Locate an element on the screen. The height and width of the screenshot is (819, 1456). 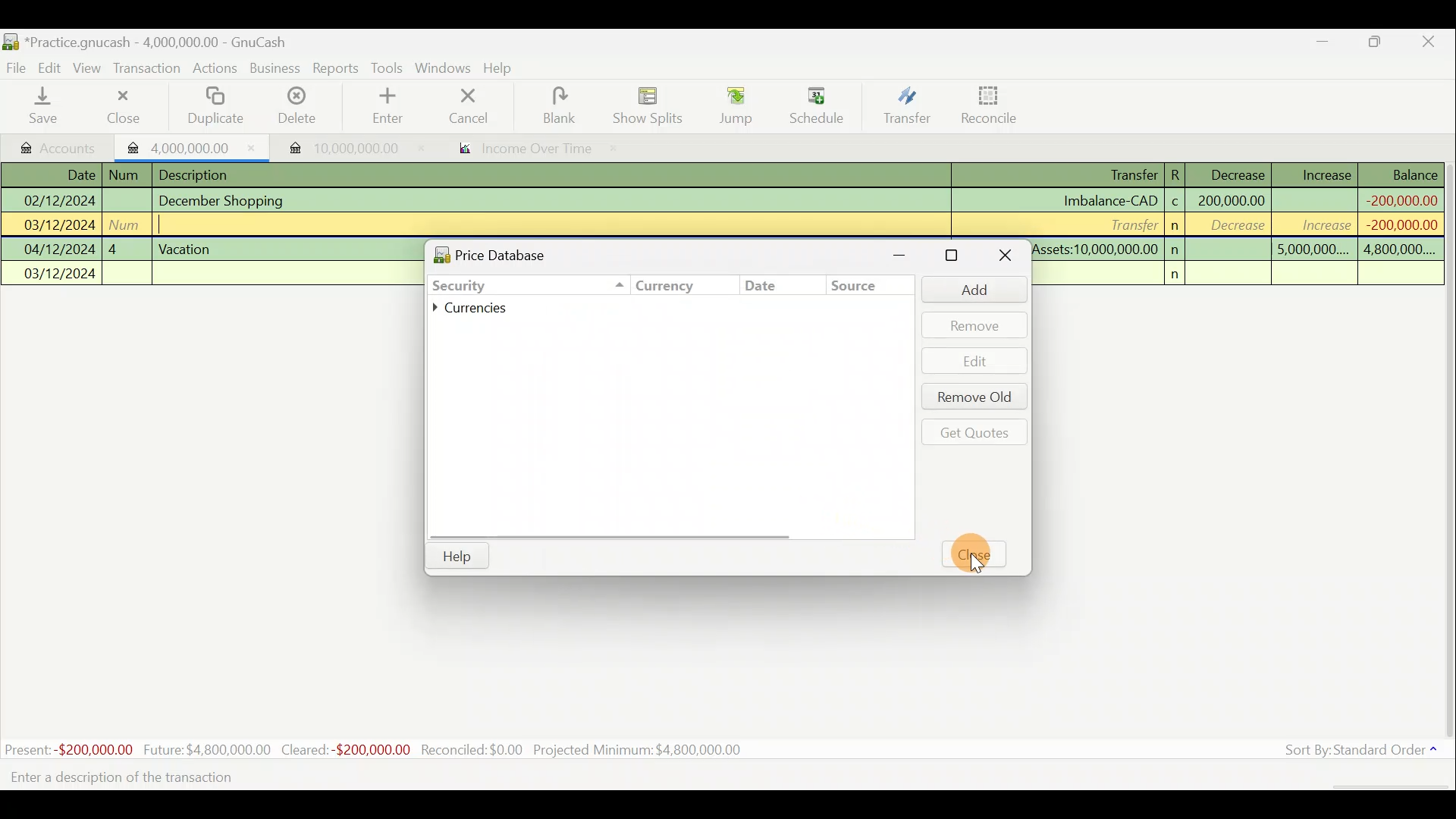
Maximise is located at coordinates (954, 256).